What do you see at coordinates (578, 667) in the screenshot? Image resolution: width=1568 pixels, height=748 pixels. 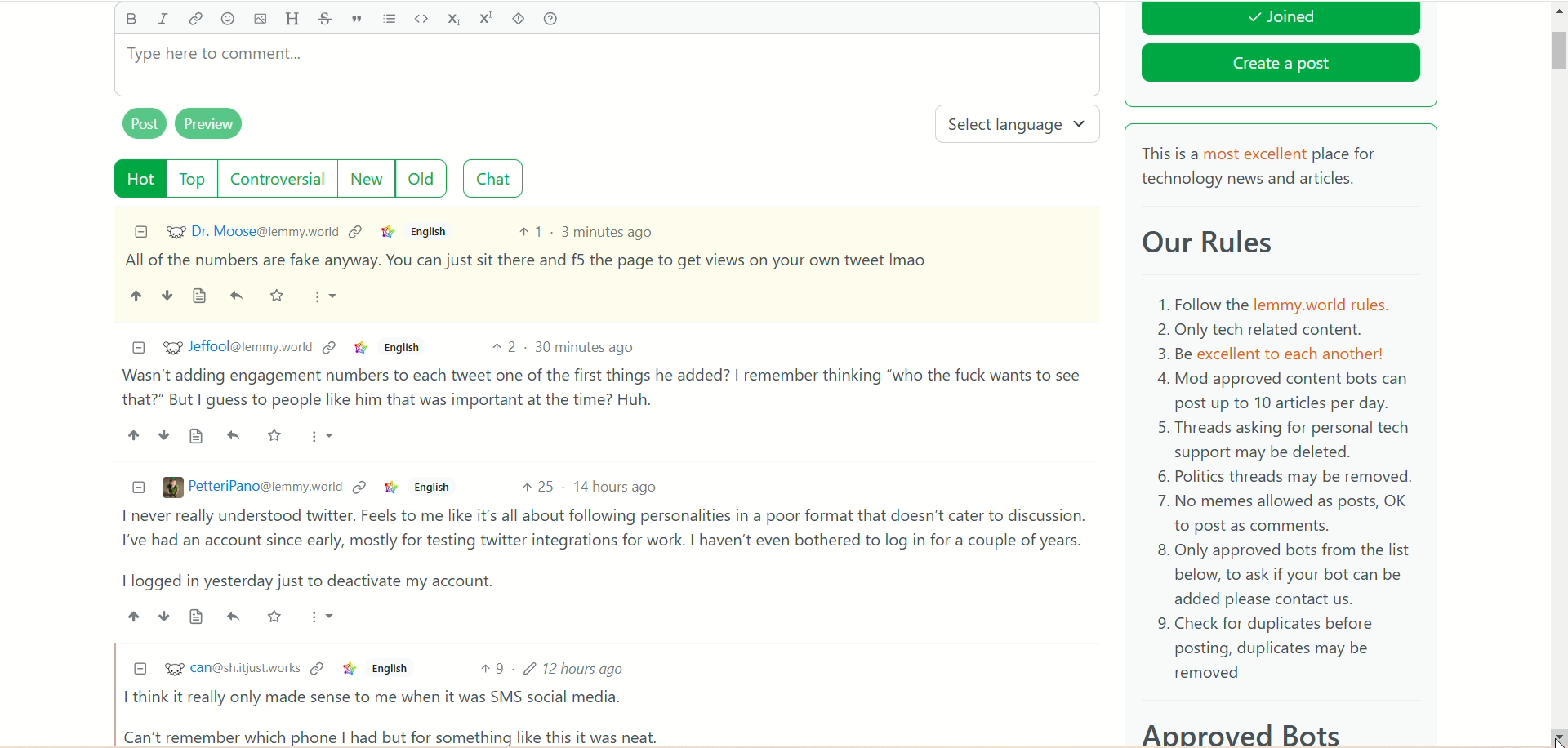 I see `12 hours ago` at bounding box center [578, 667].